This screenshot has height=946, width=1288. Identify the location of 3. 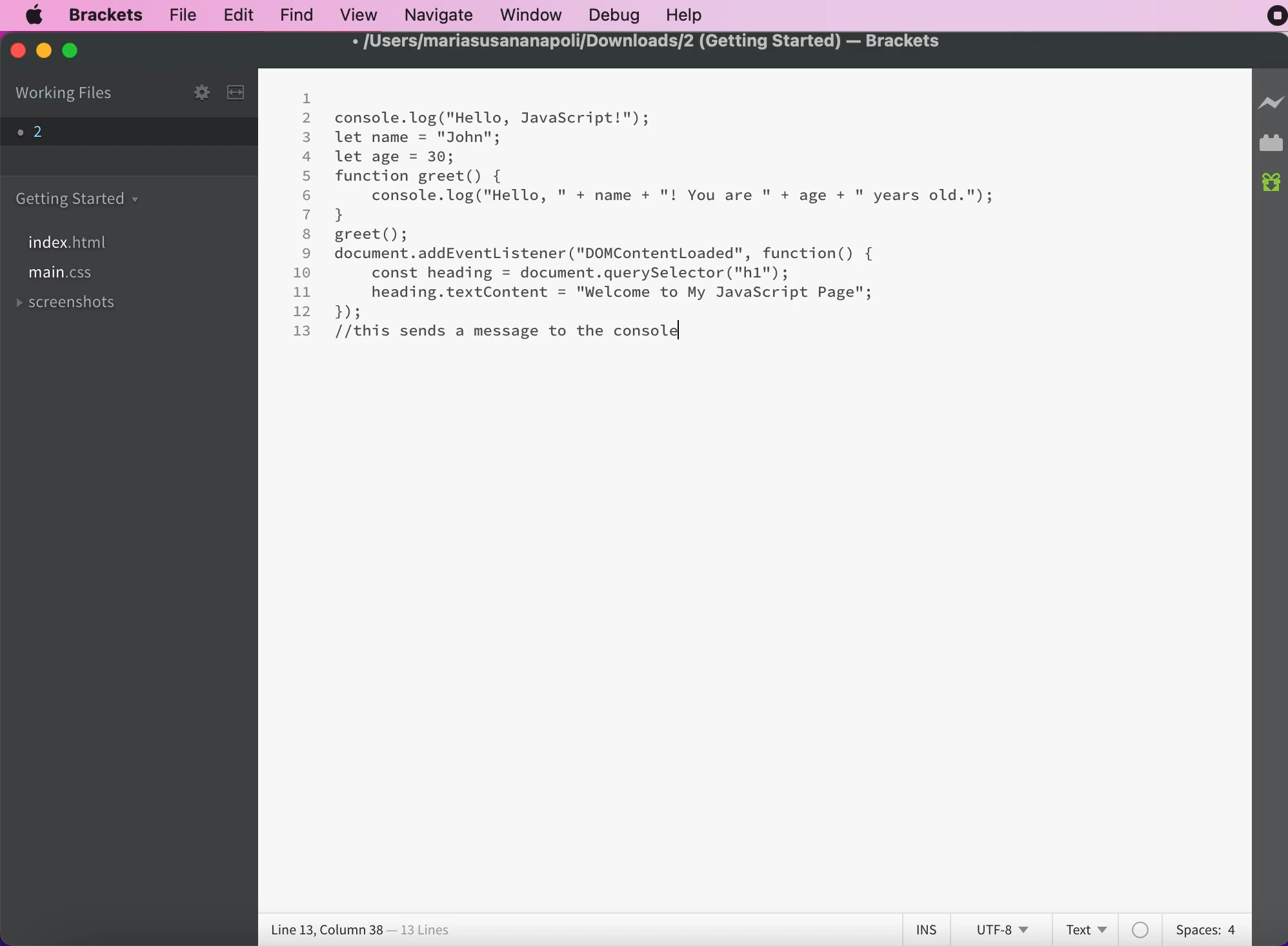
(307, 138).